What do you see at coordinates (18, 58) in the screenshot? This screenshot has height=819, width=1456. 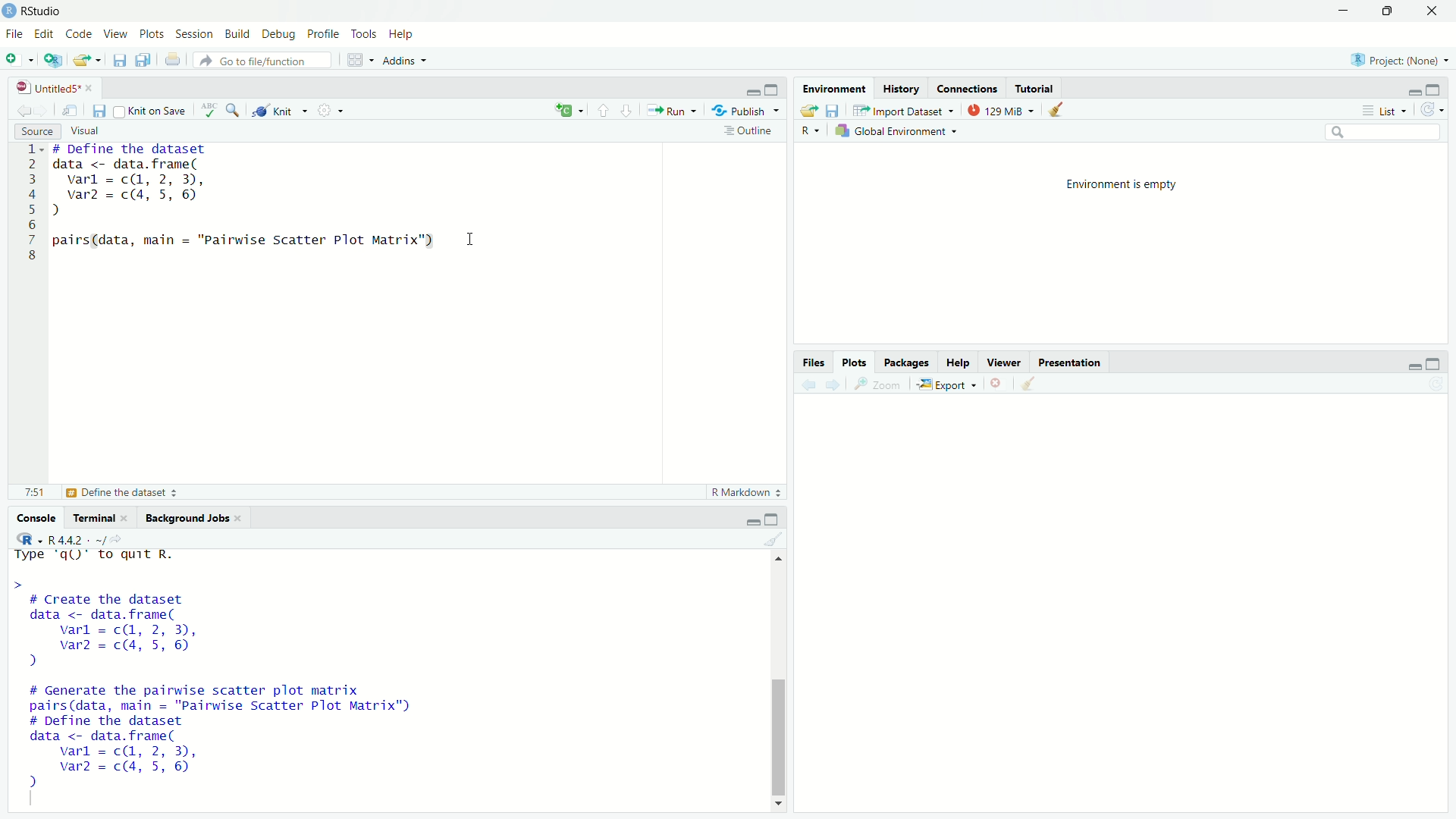 I see `New File` at bounding box center [18, 58].